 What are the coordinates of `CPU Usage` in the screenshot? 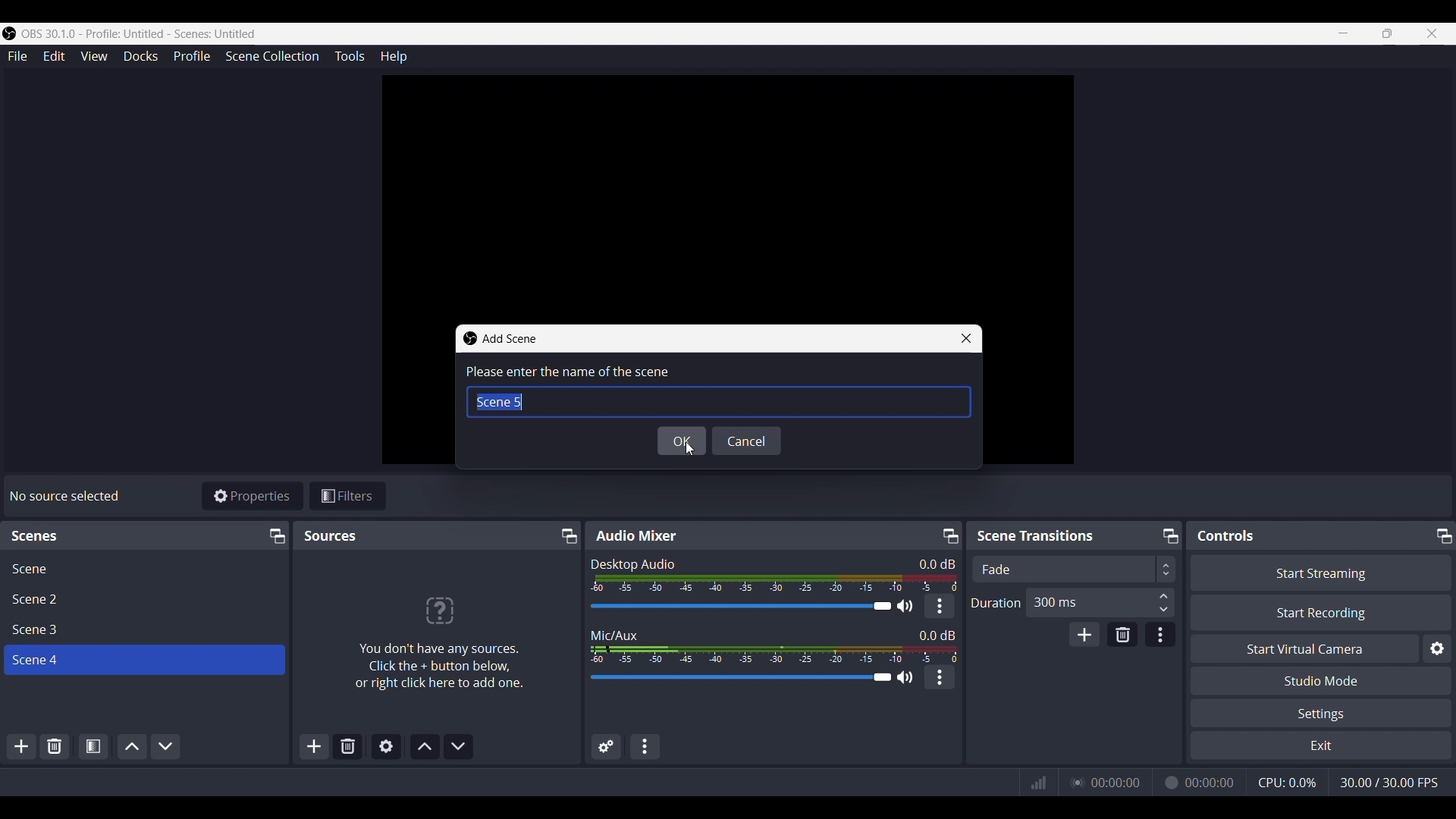 It's located at (1286, 781).